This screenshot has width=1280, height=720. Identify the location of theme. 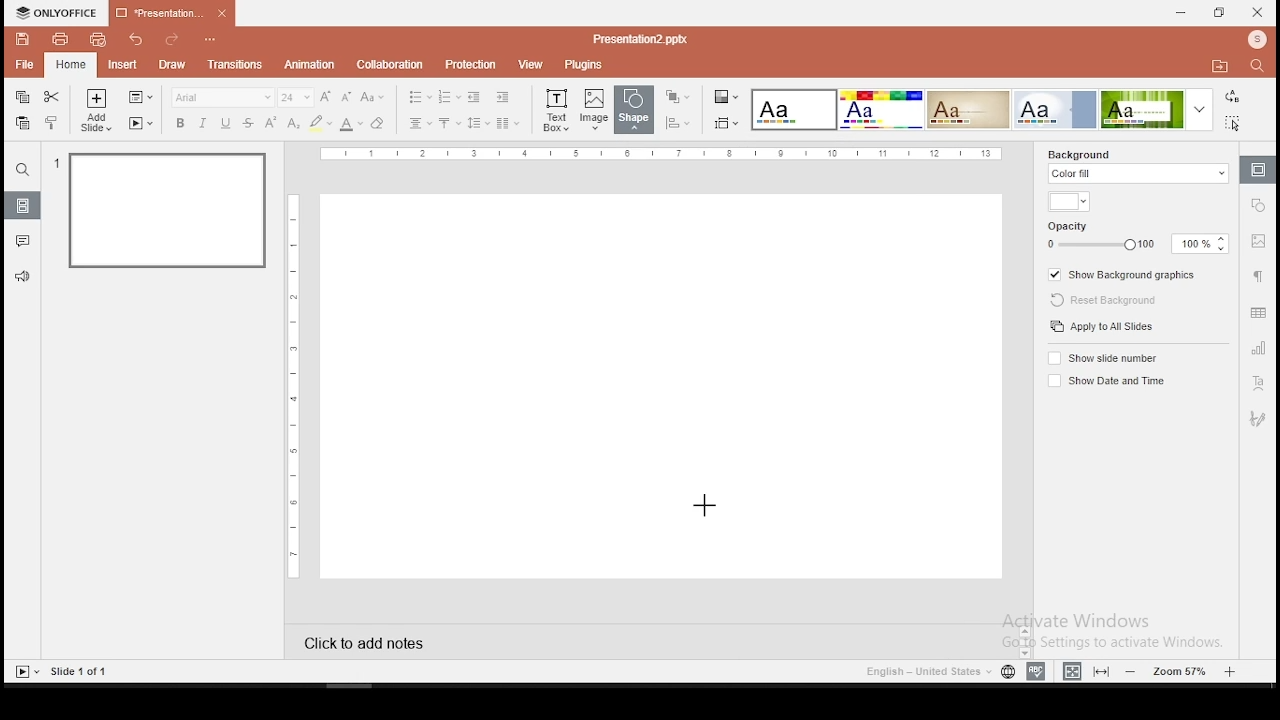
(1055, 109).